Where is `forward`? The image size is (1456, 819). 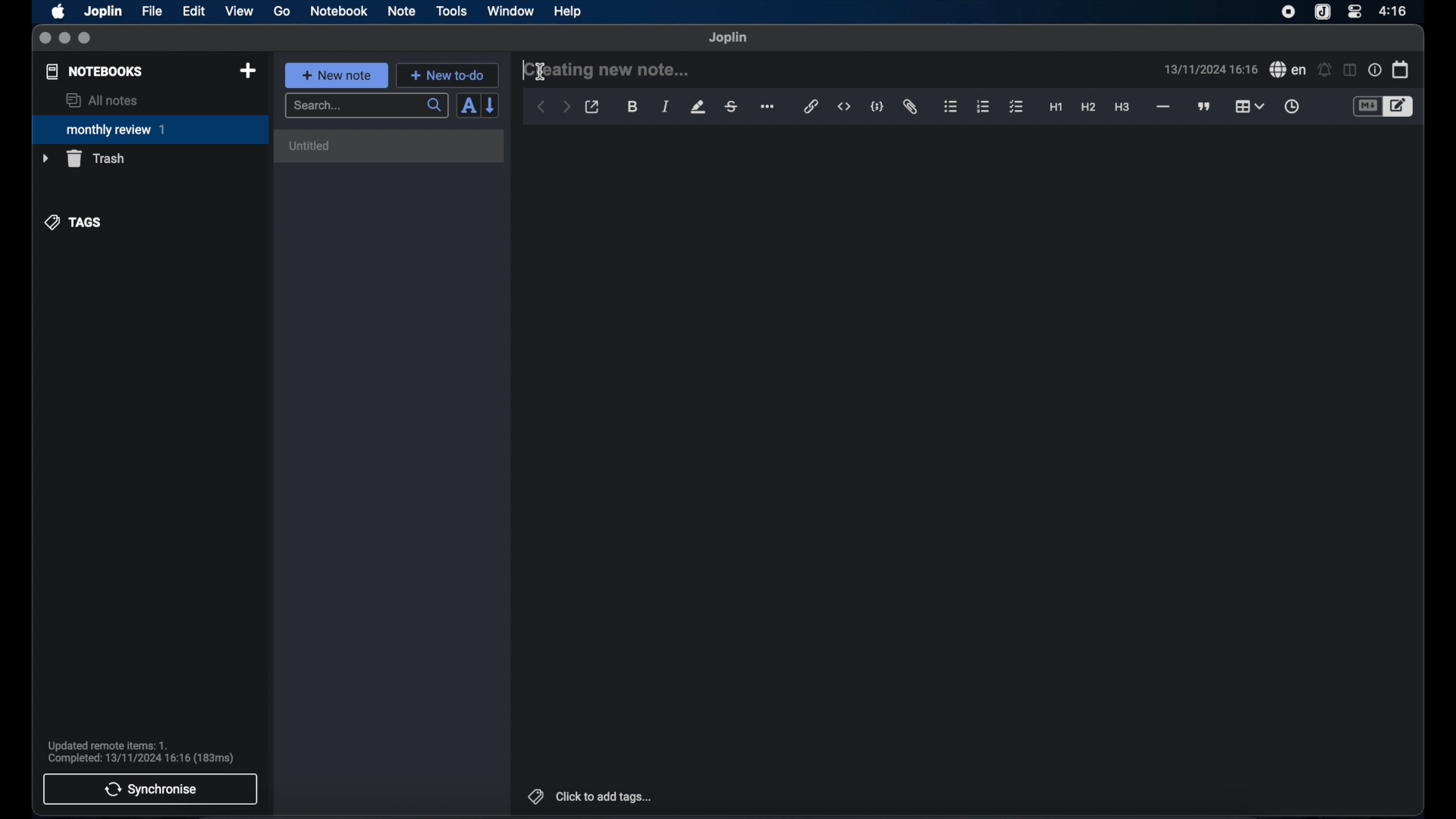 forward is located at coordinates (566, 108).